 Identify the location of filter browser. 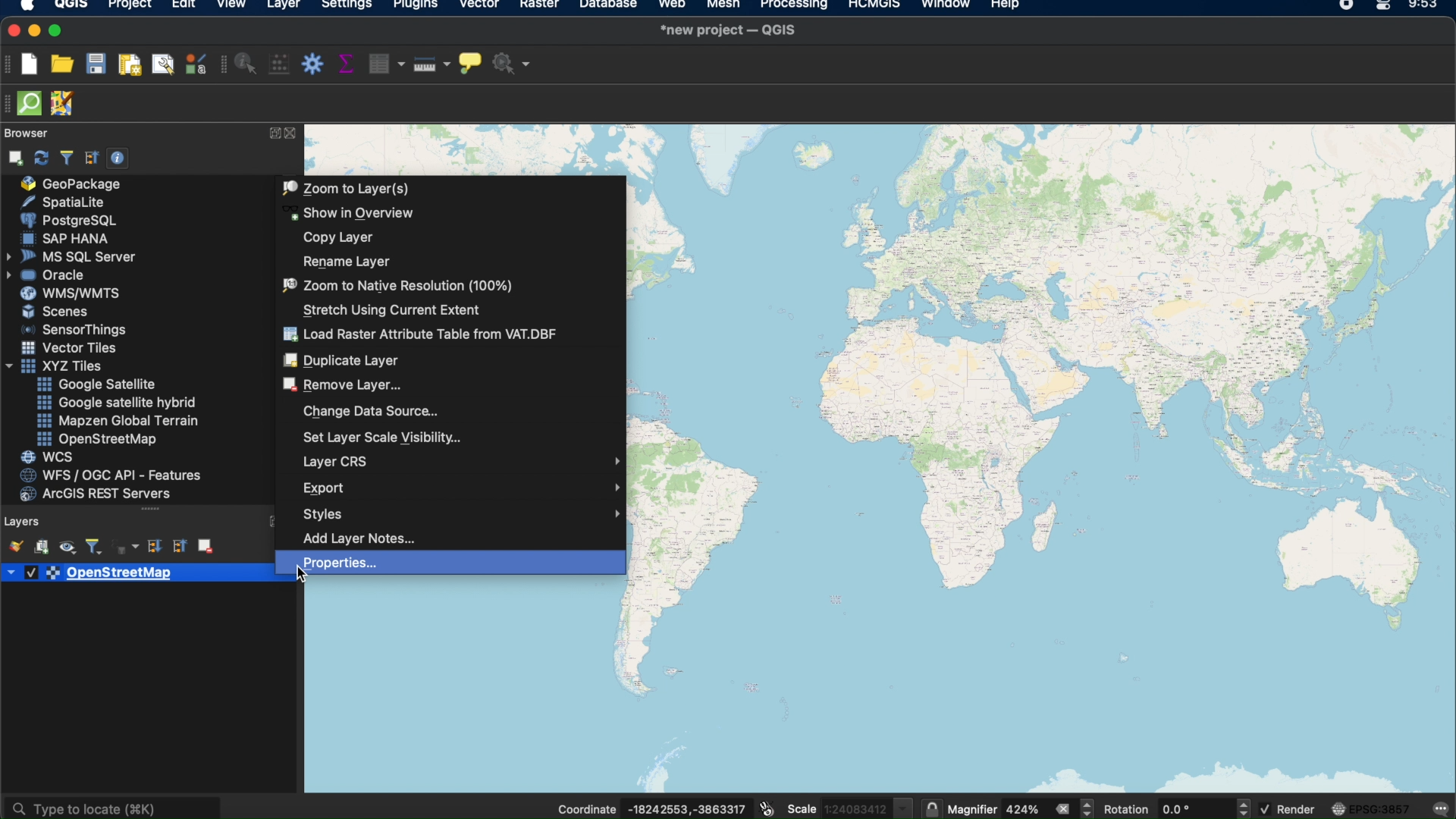
(66, 158).